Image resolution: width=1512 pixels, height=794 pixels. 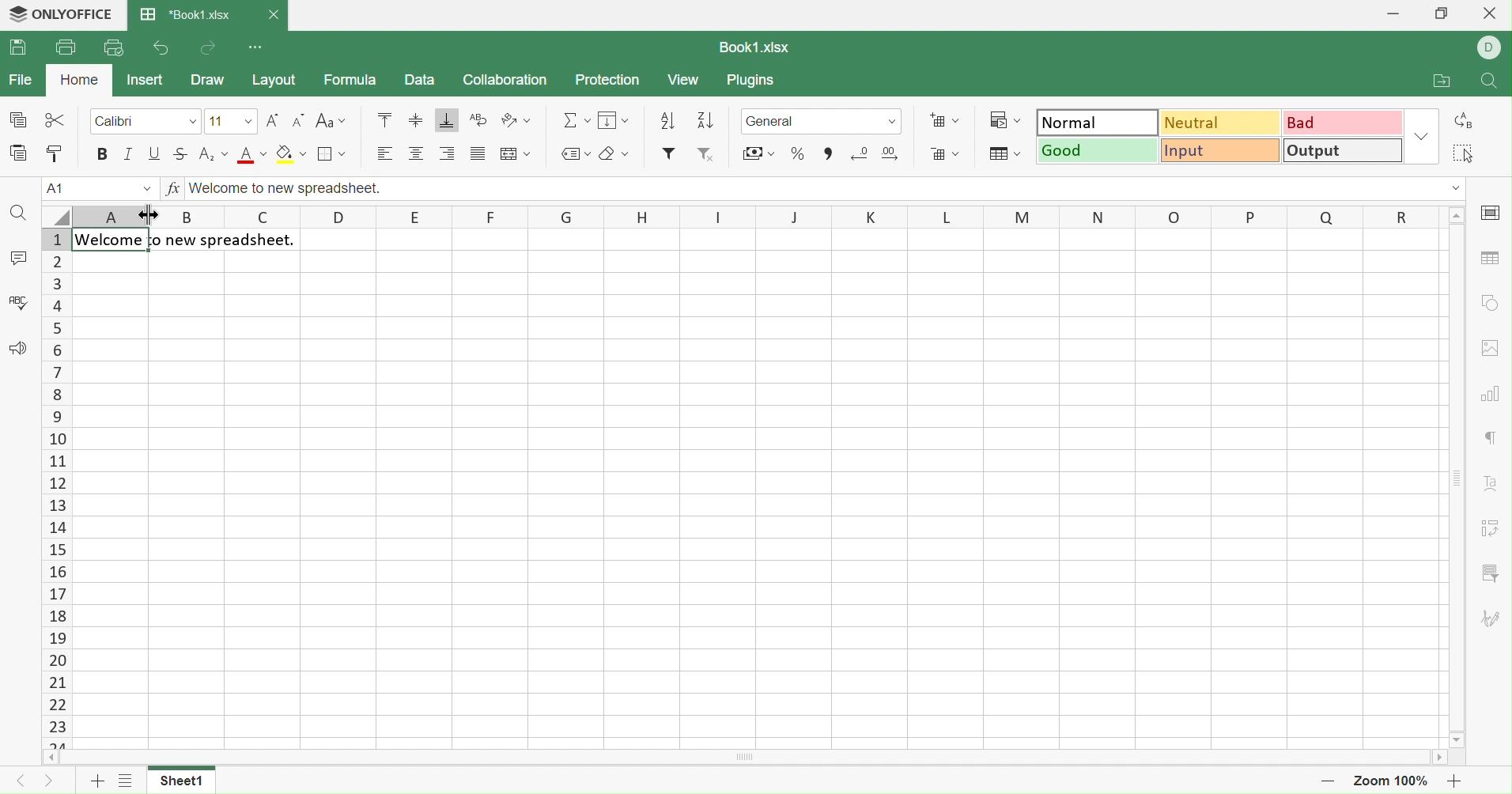 What do you see at coordinates (156, 153) in the screenshot?
I see `Underline` at bounding box center [156, 153].